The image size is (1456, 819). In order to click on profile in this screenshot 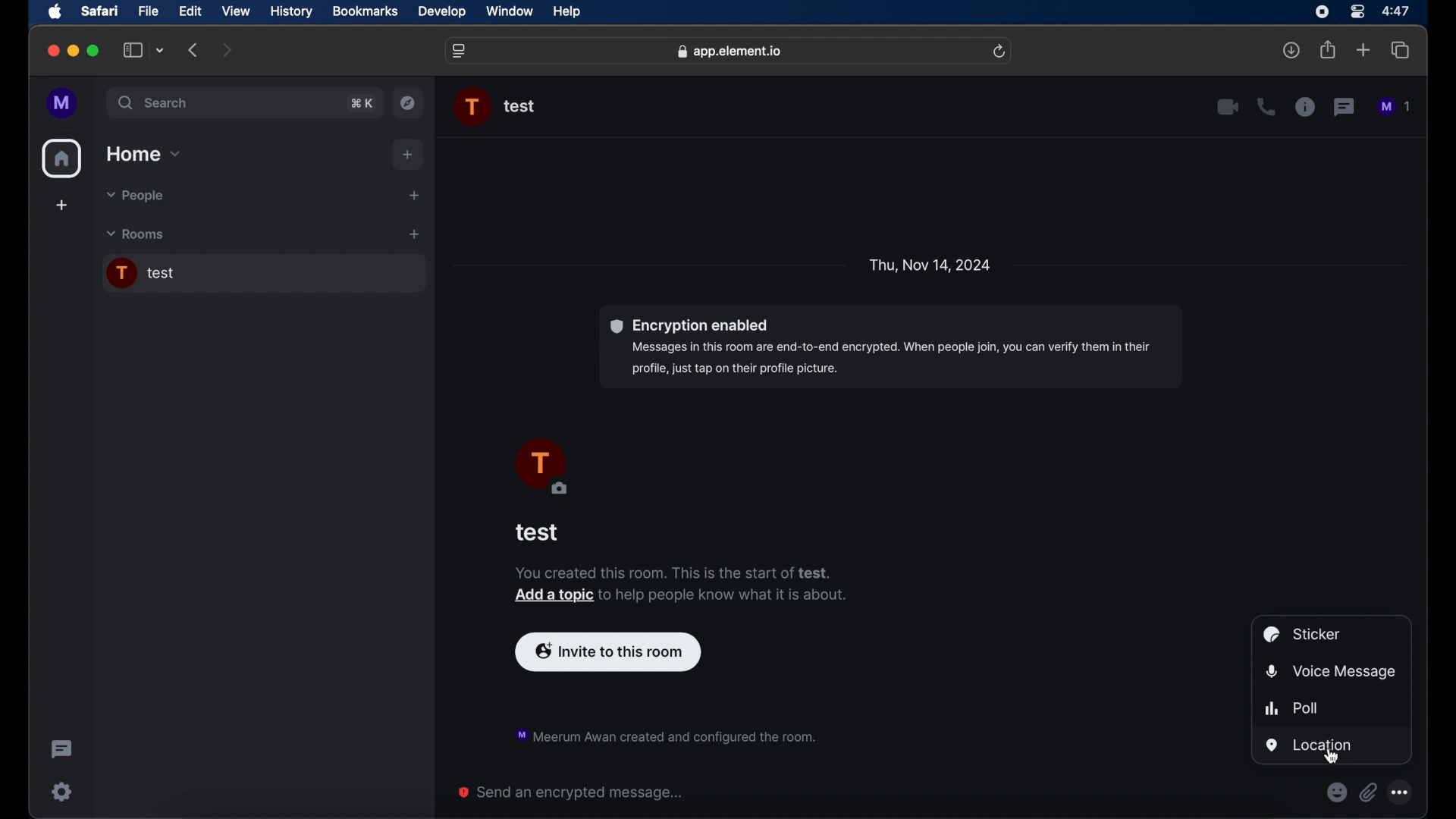, I will do `click(63, 103)`.